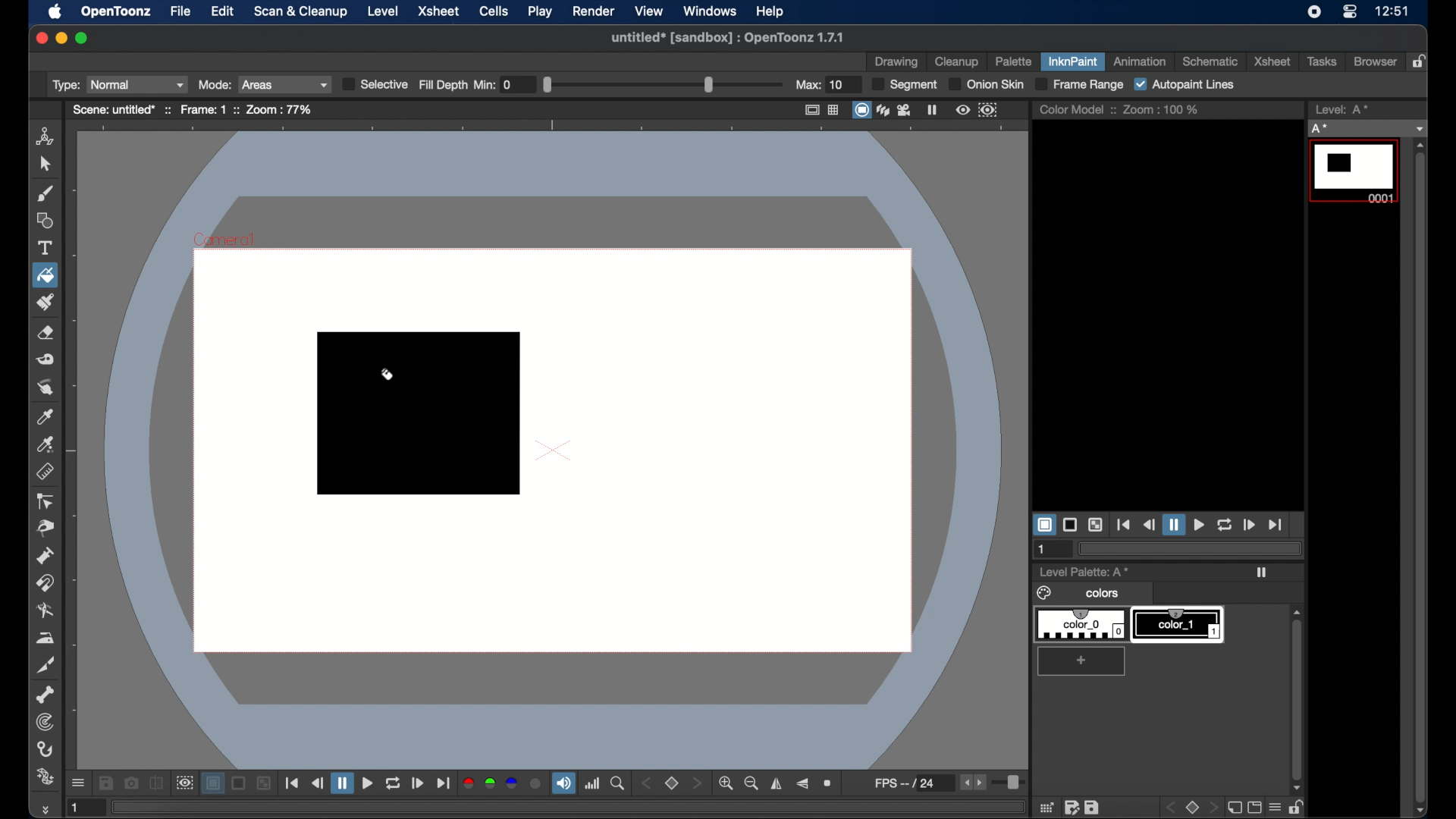  What do you see at coordinates (1344, 109) in the screenshot?
I see `level strip` at bounding box center [1344, 109].